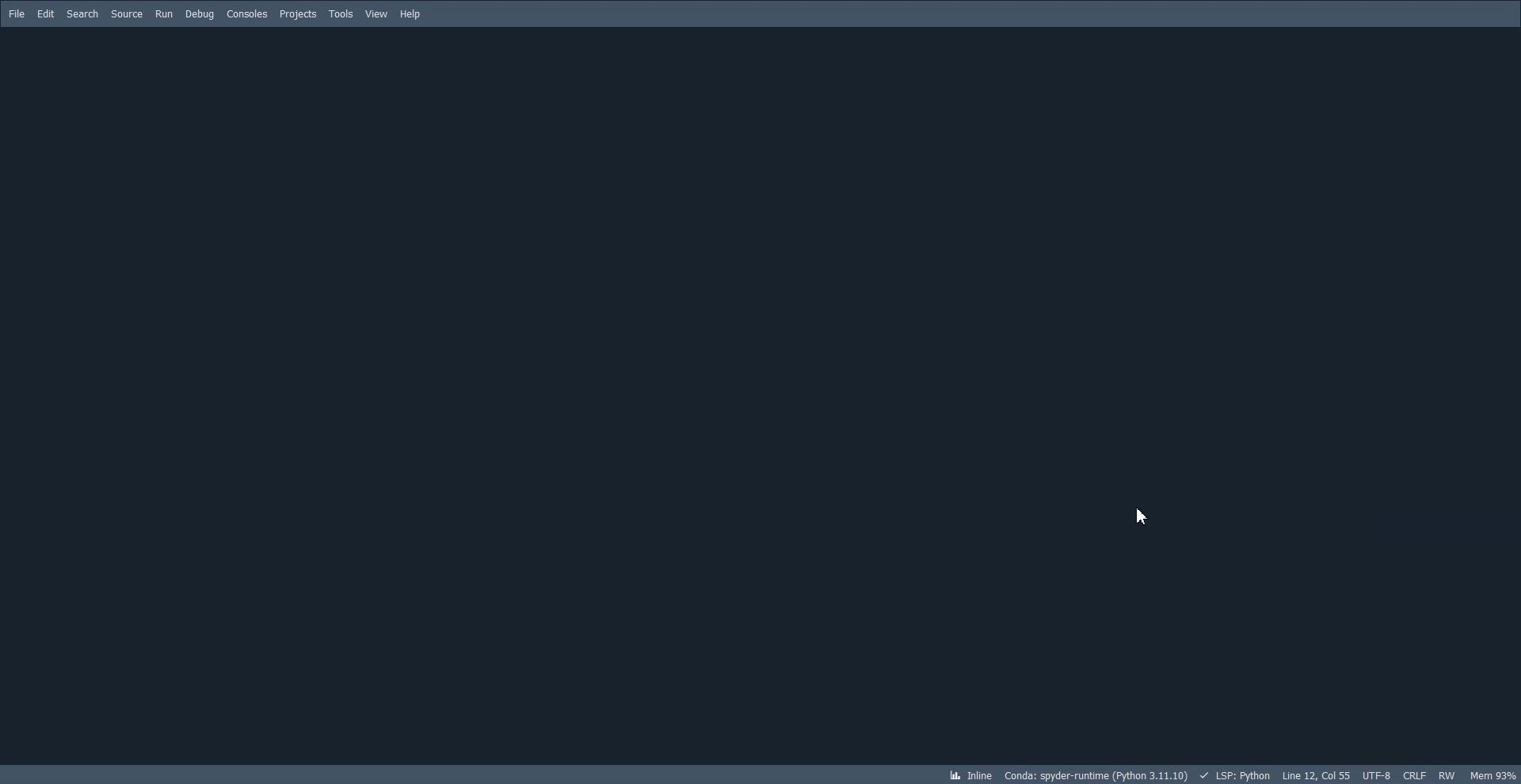  Describe the element at coordinates (16, 14) in the screenshot. I see `File` at that location.